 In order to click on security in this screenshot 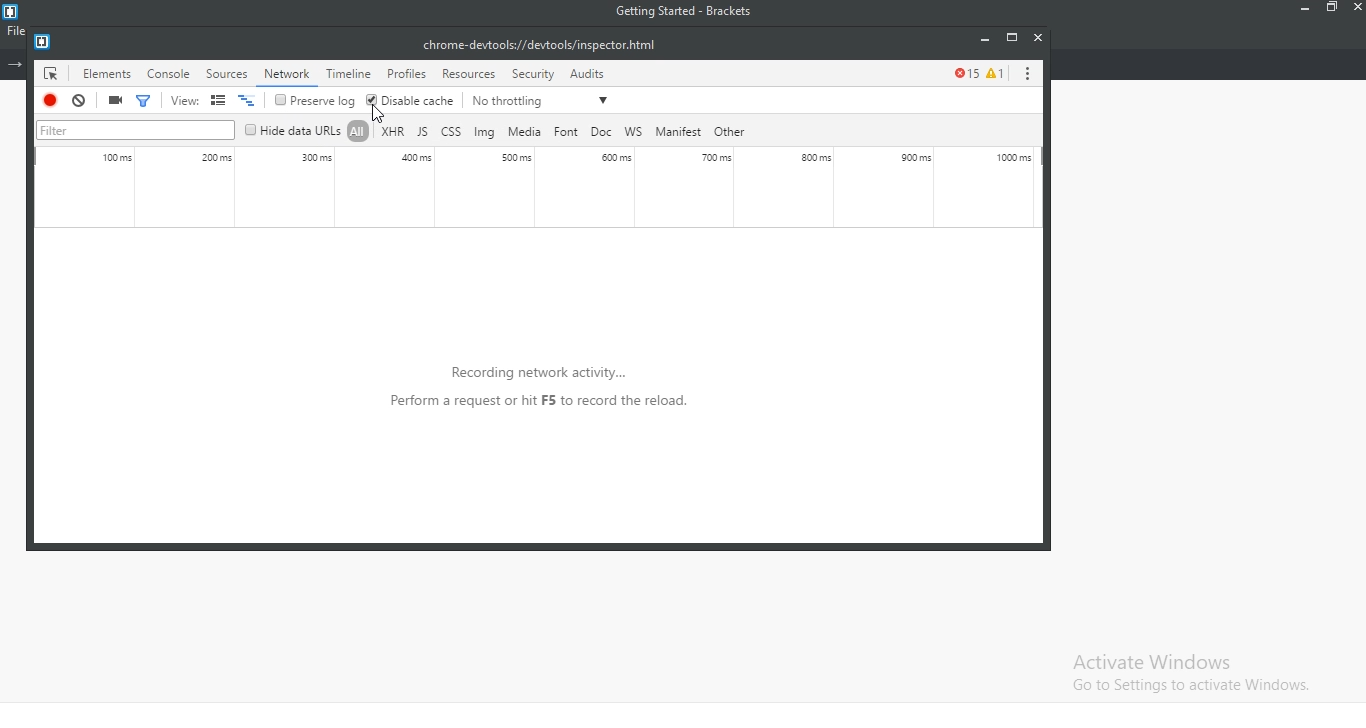, I will do `click(531, 75)`.